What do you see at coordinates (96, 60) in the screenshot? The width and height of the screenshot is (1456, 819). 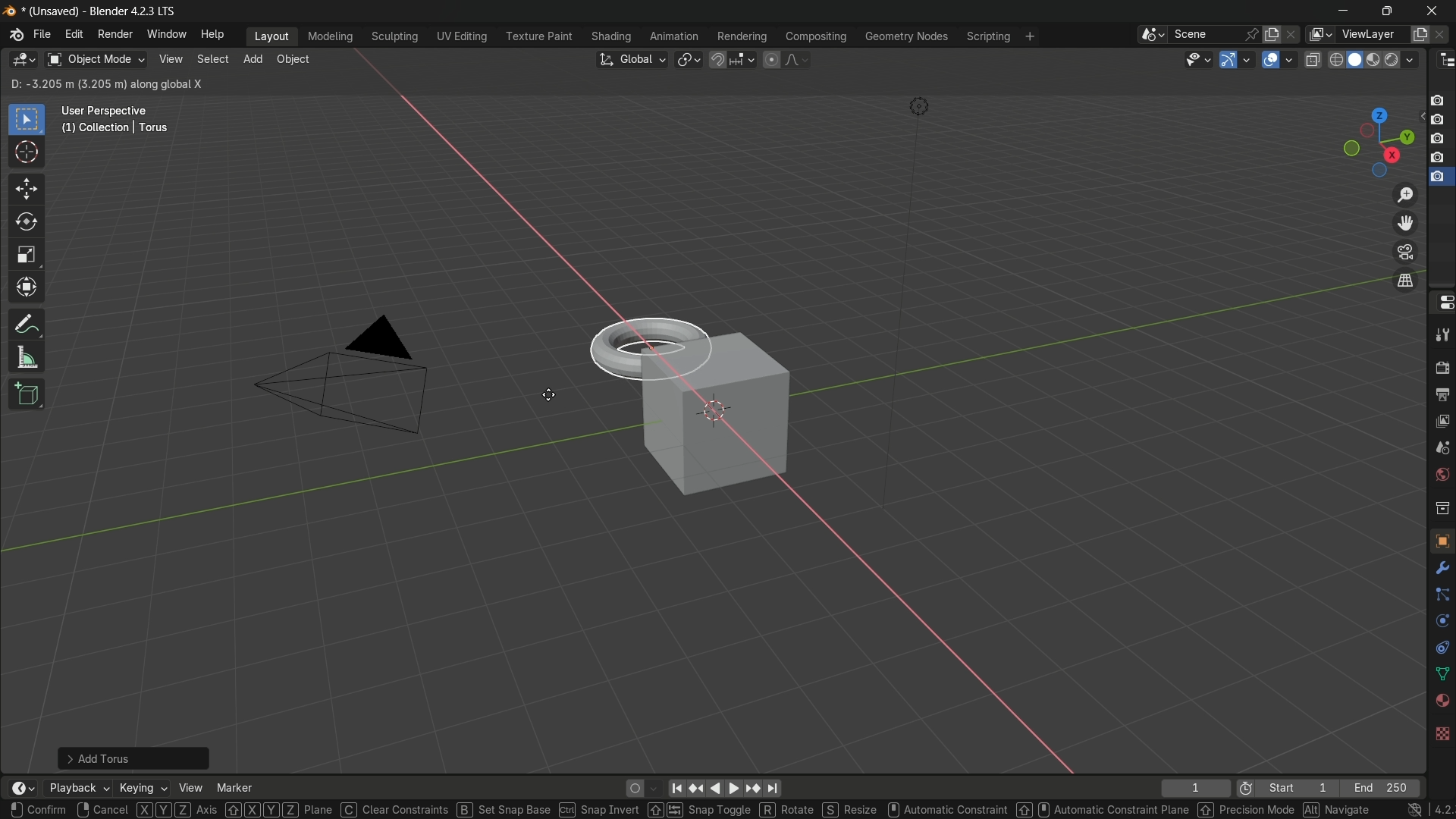 I see `object mode` at bounding box center [96, 60].